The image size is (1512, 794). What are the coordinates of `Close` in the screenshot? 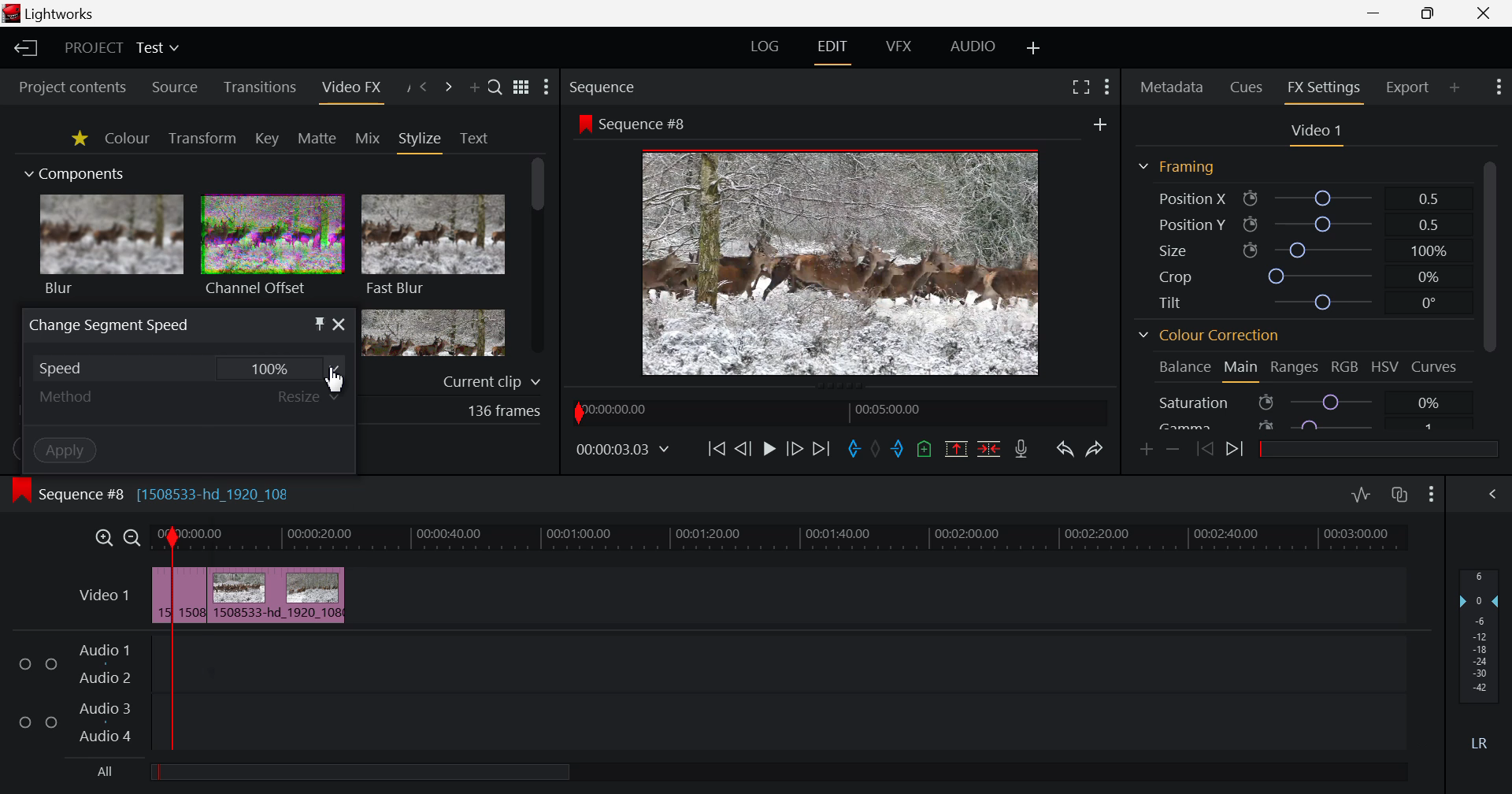 It's located at (339, 323).